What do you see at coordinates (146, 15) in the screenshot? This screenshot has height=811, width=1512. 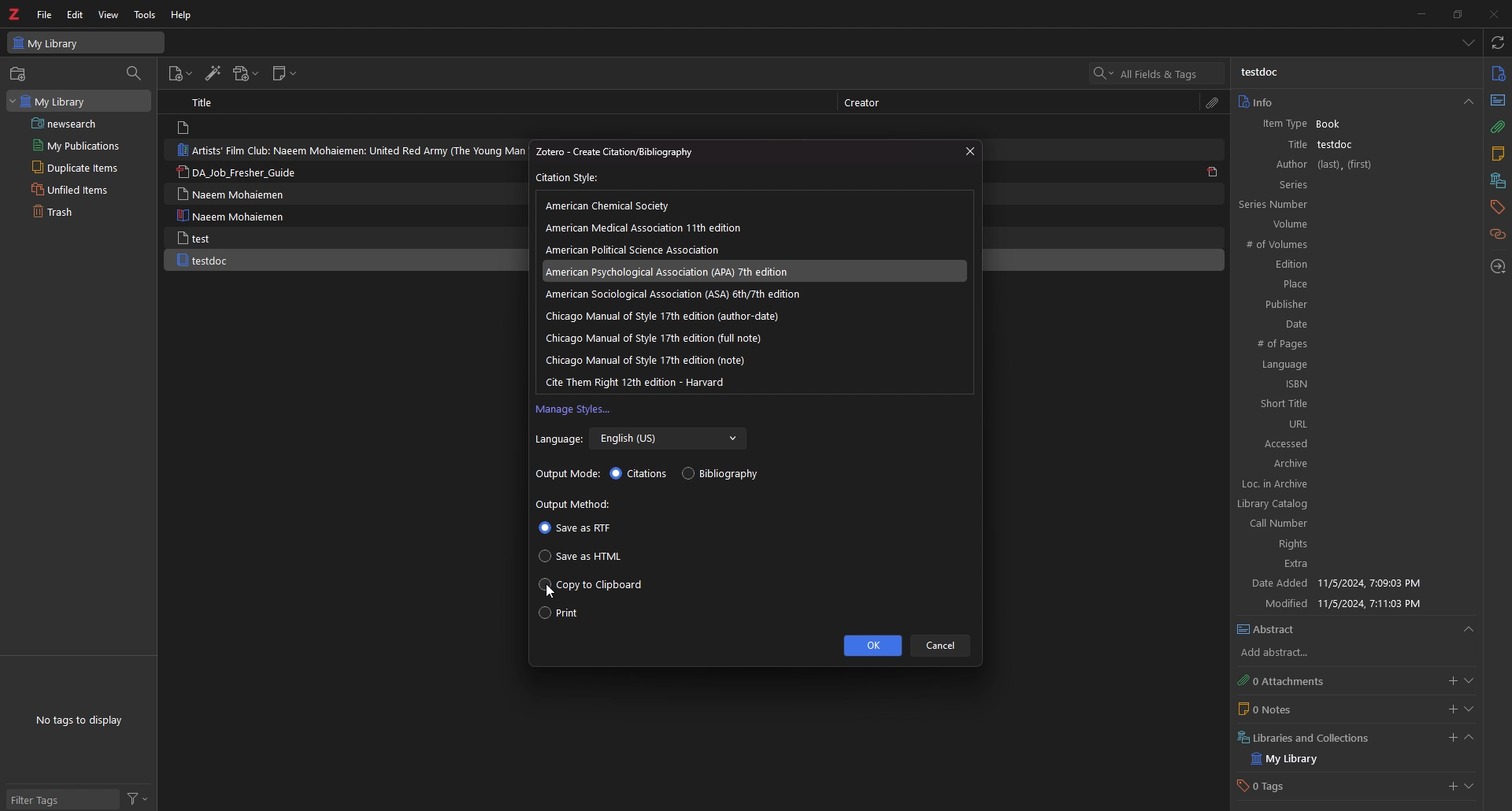 I see `tools` at bounding box center [146, 15].